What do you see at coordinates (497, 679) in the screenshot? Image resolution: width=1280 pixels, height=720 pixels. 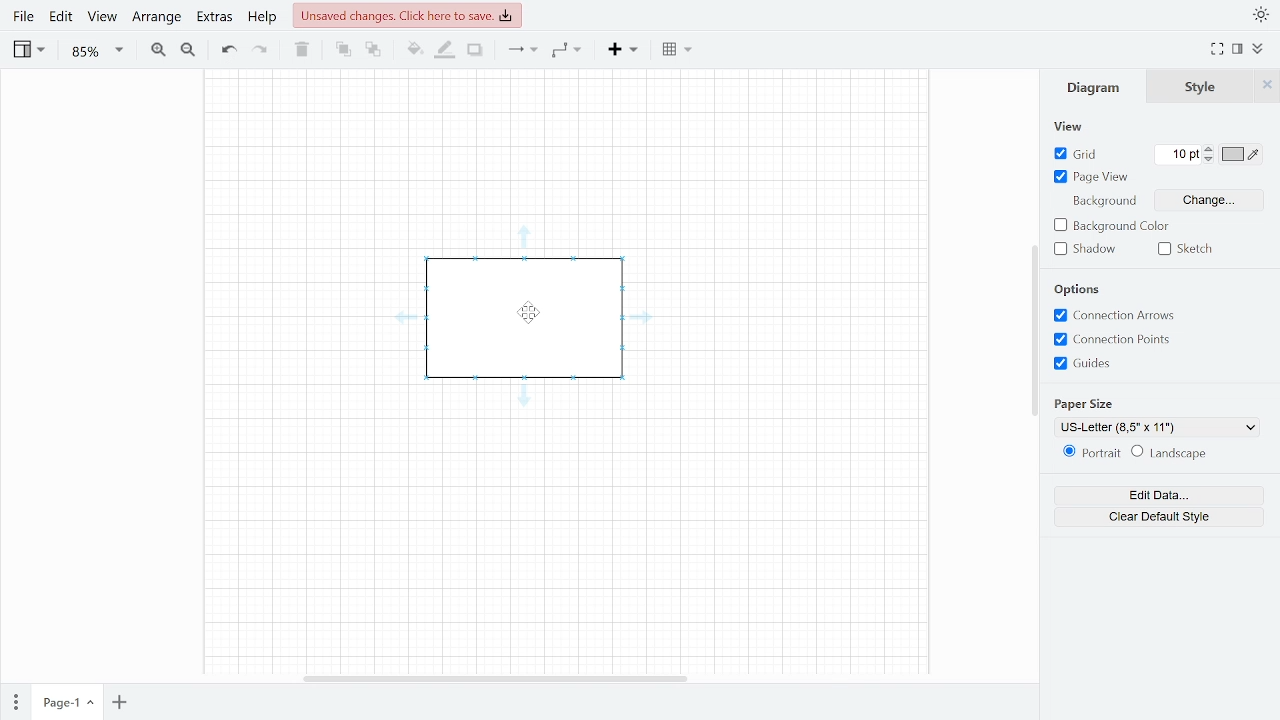 I see `scroll bar` at bounding box center [497, 679].